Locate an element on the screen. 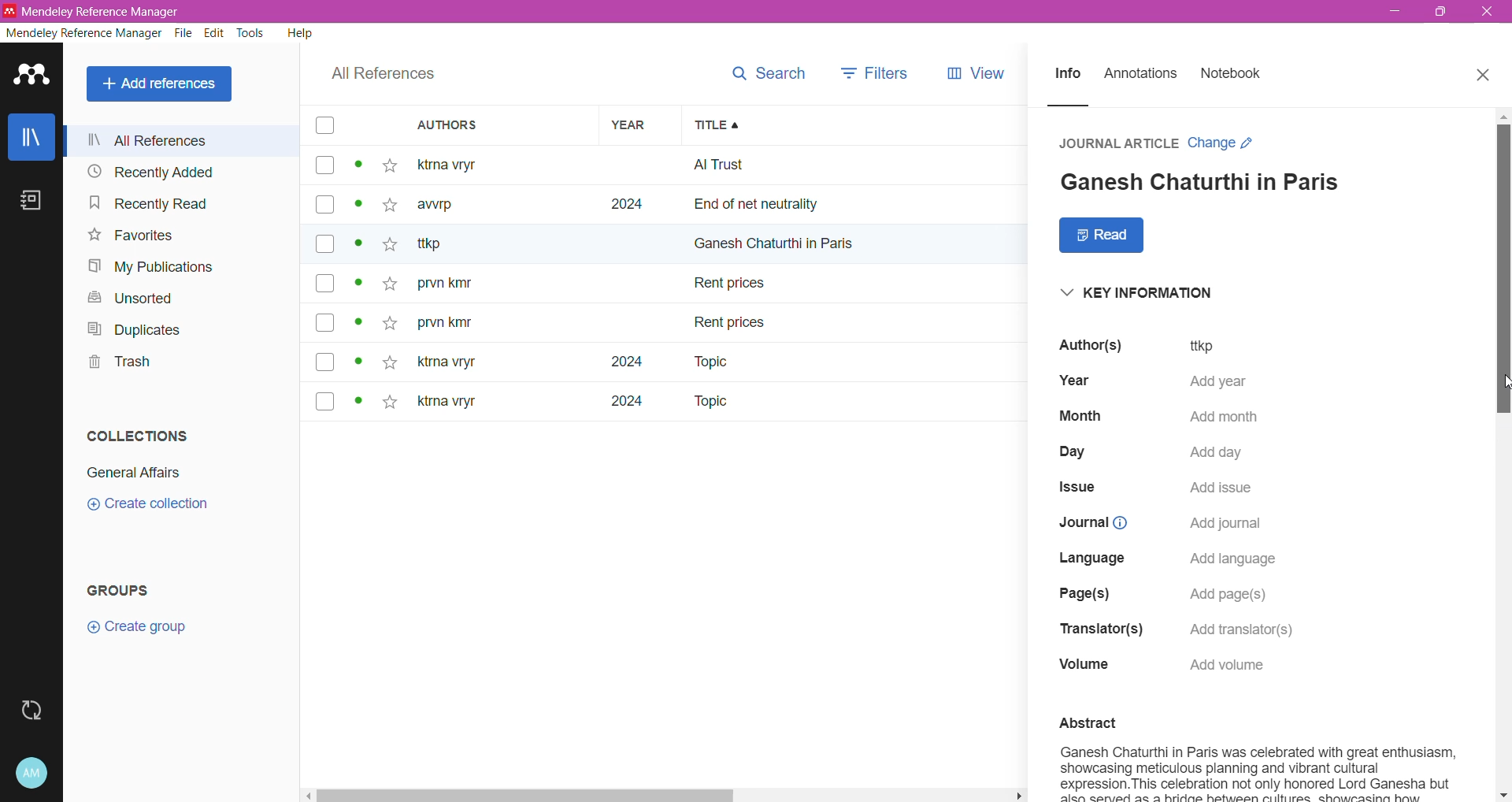  Month is located at coordinates (1073, 414).